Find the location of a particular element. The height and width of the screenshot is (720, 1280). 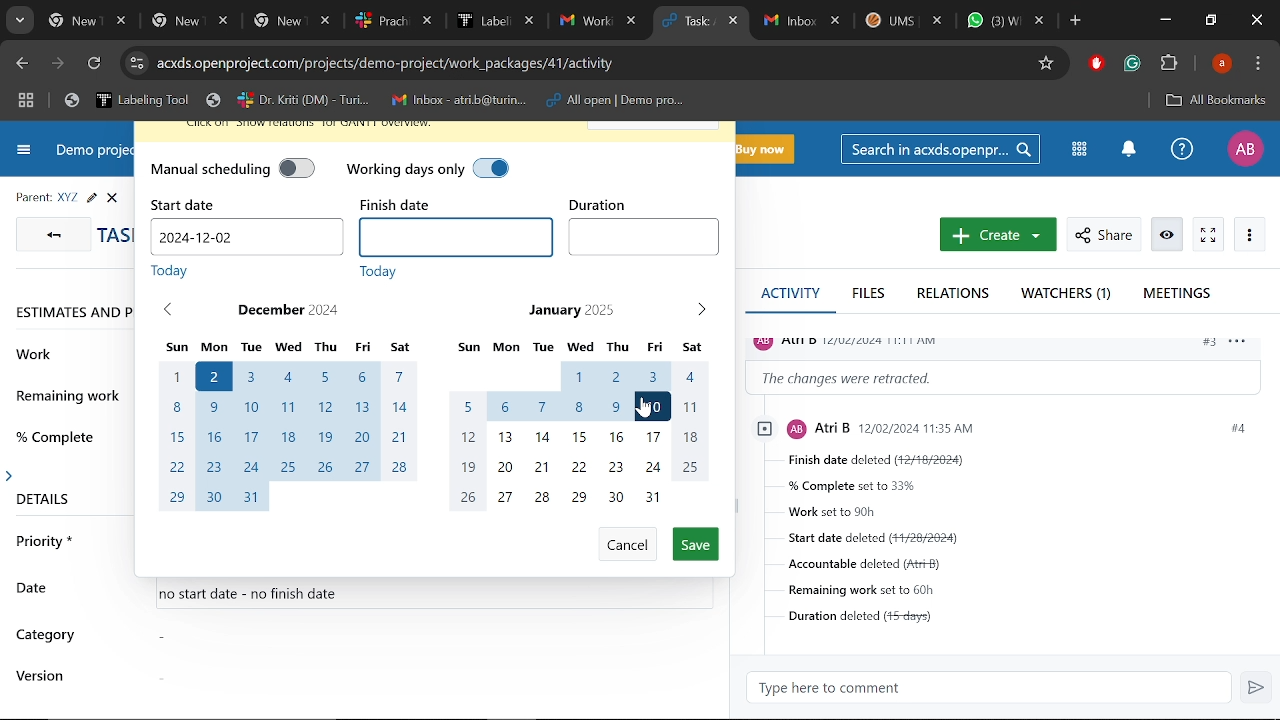

Cancel is located at coordinates (624, 543).